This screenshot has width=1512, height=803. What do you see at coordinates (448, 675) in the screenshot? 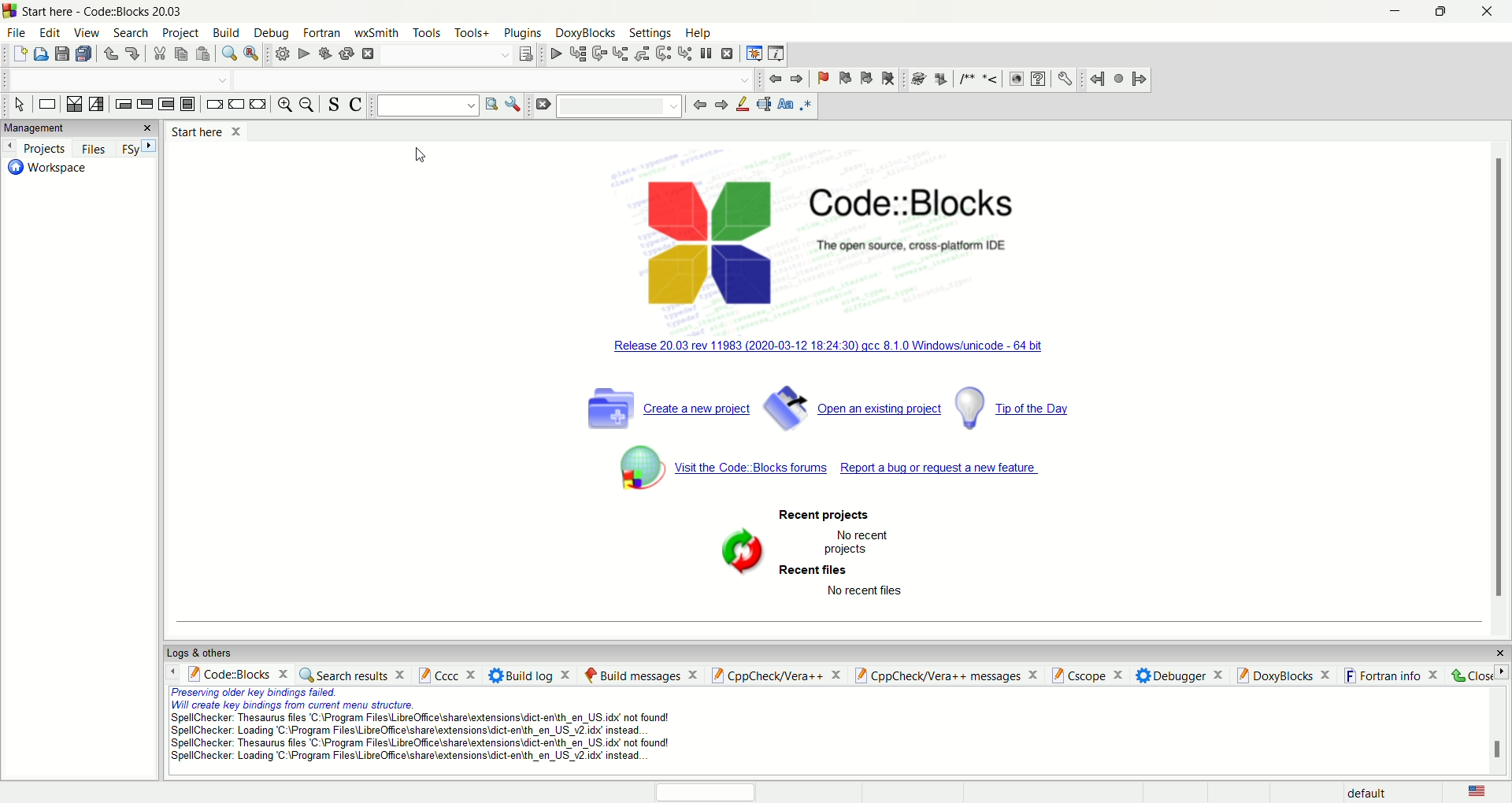
I see `Cccc` at bounding box center [448, 675].